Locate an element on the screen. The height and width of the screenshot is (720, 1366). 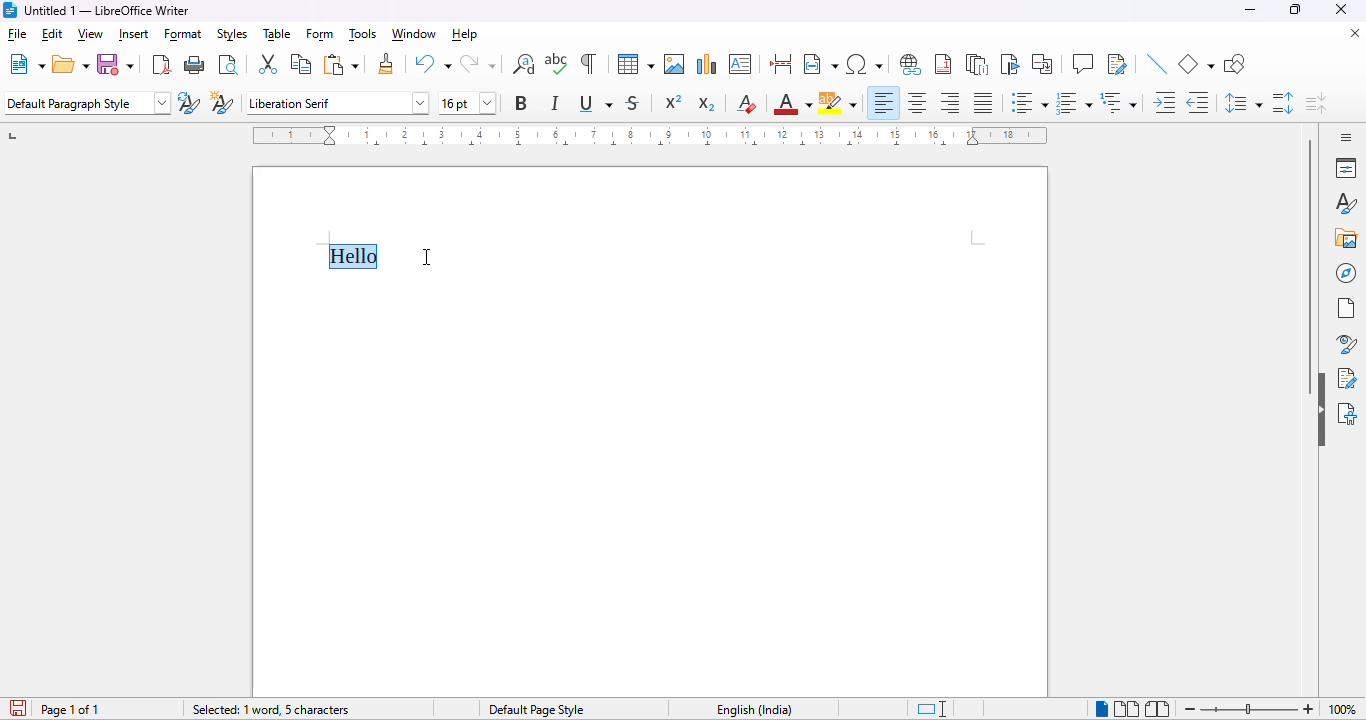
strikethrough is located at coordinates (633, 103).